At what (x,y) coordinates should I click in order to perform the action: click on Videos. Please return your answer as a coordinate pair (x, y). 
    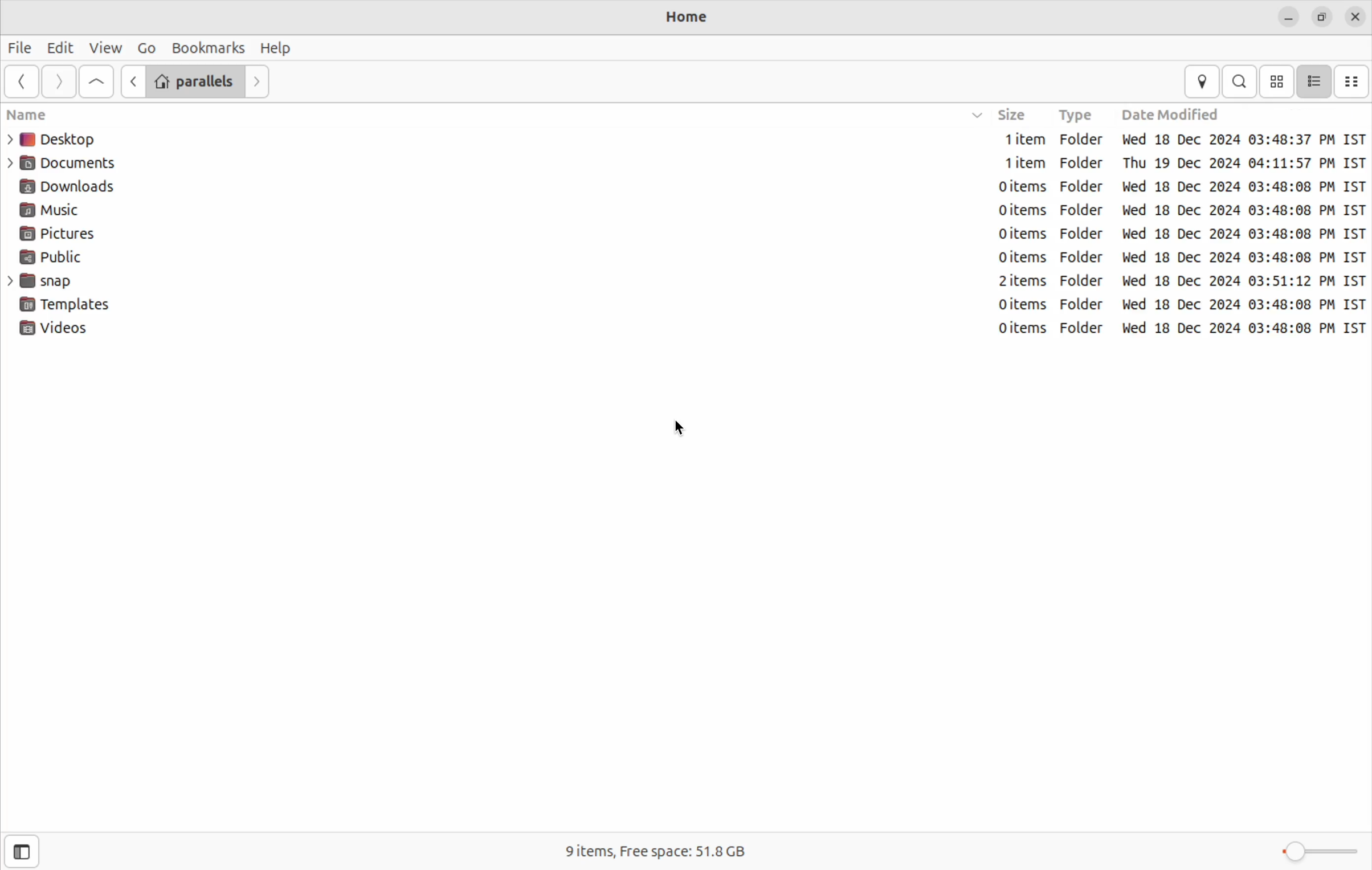
    Looking at the image, I should click on (56, 331).